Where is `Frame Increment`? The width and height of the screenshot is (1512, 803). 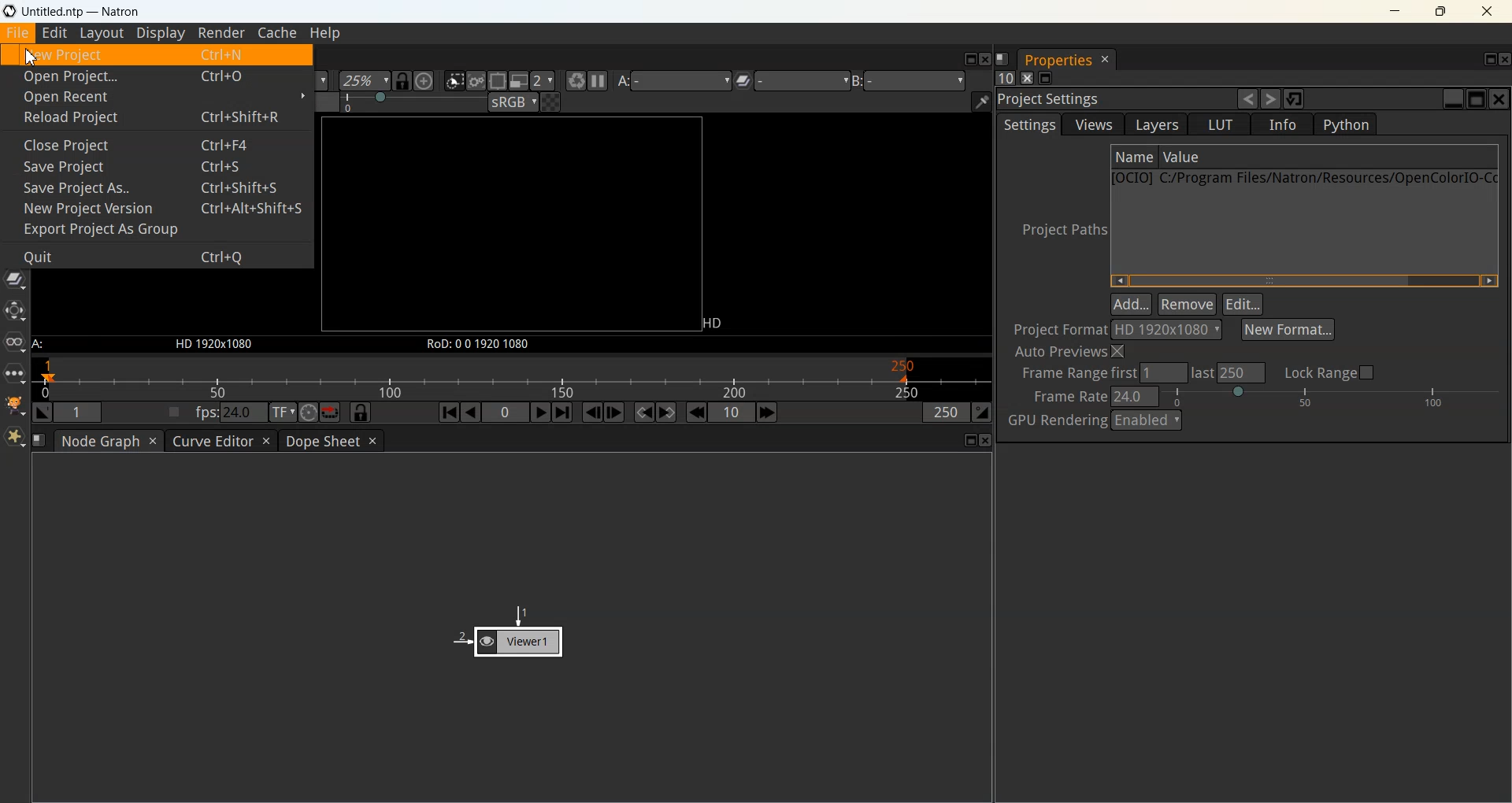
Frame Increment is located at coordinates (732, 412).